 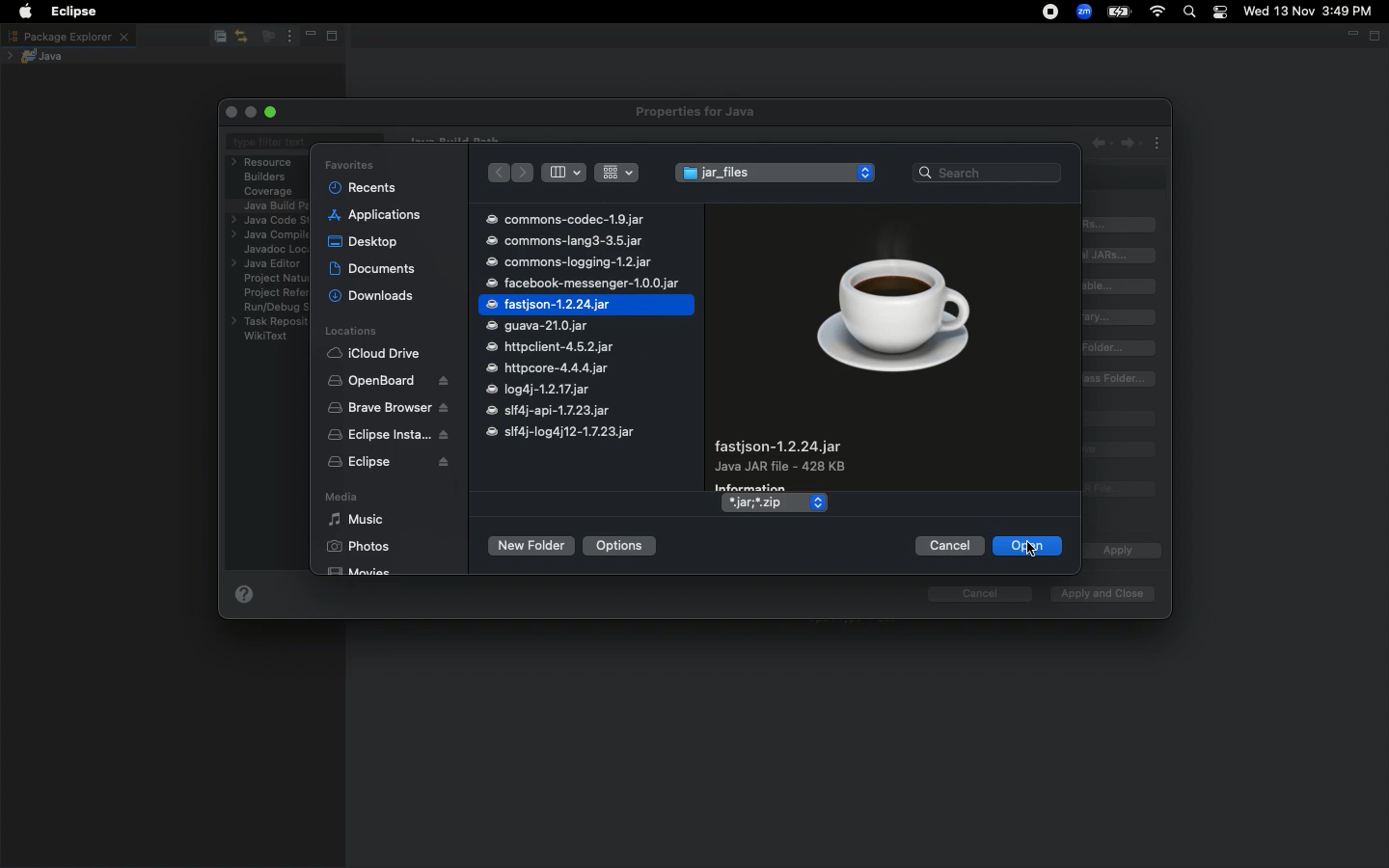 What do you see at coordinates (587, 326) in the screenshot?
I see `commons-codec-1.9.jar commons-lang3-3.5.jar commons-logging-1.2.jar facebook-messenger-1.0.0.jar fastjson-1.2.24.jar guava-21.0.jar httpclient-4.5.2.jar httpcore-4.4.4.jar log4j-1.2.17.jar slf4j-api-1.7.23.jar slf4j-log4j12-1.7.23.jar` at bounding box center [587, 326].